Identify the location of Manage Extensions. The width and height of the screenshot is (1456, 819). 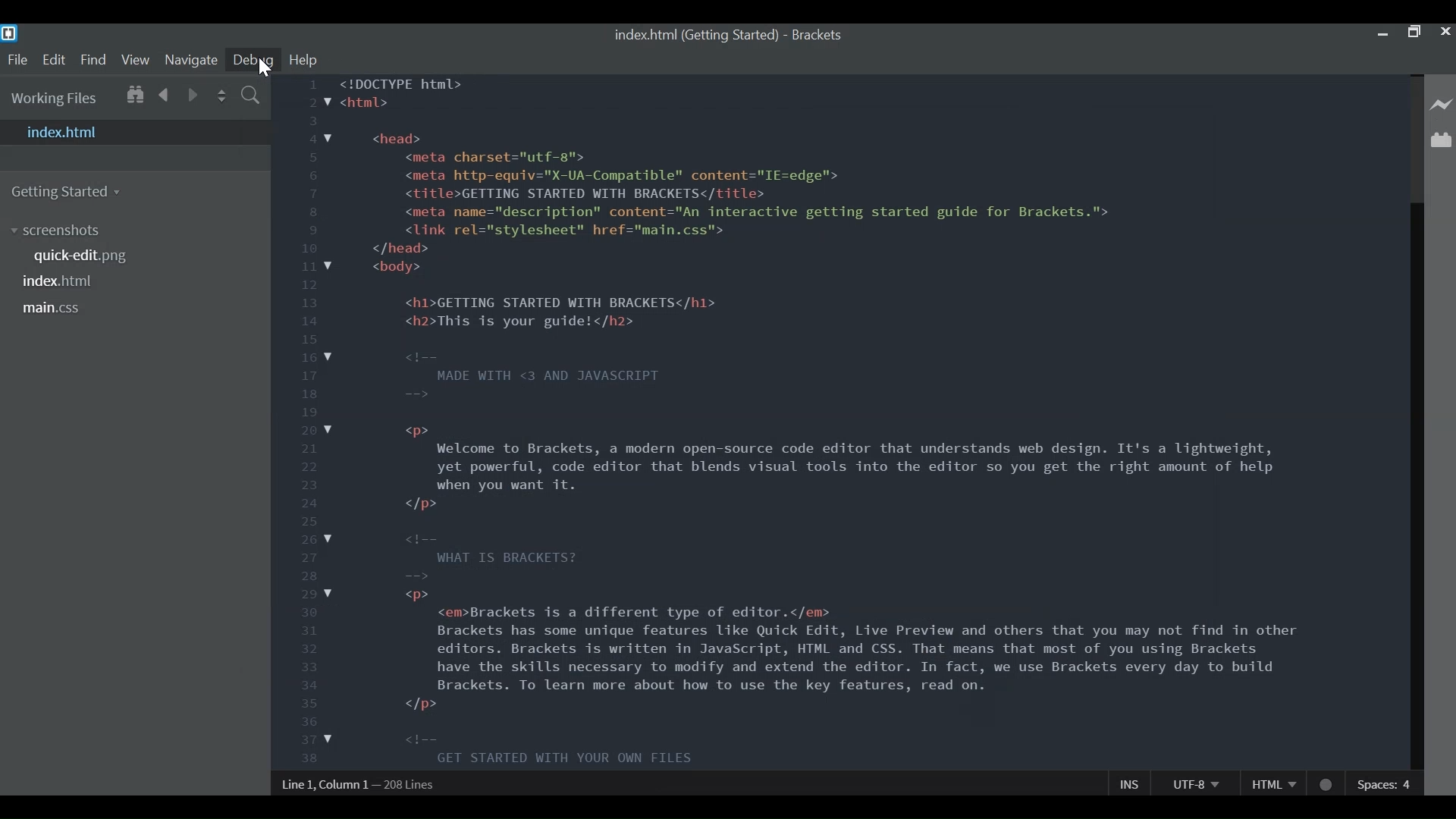
(1441, 139).